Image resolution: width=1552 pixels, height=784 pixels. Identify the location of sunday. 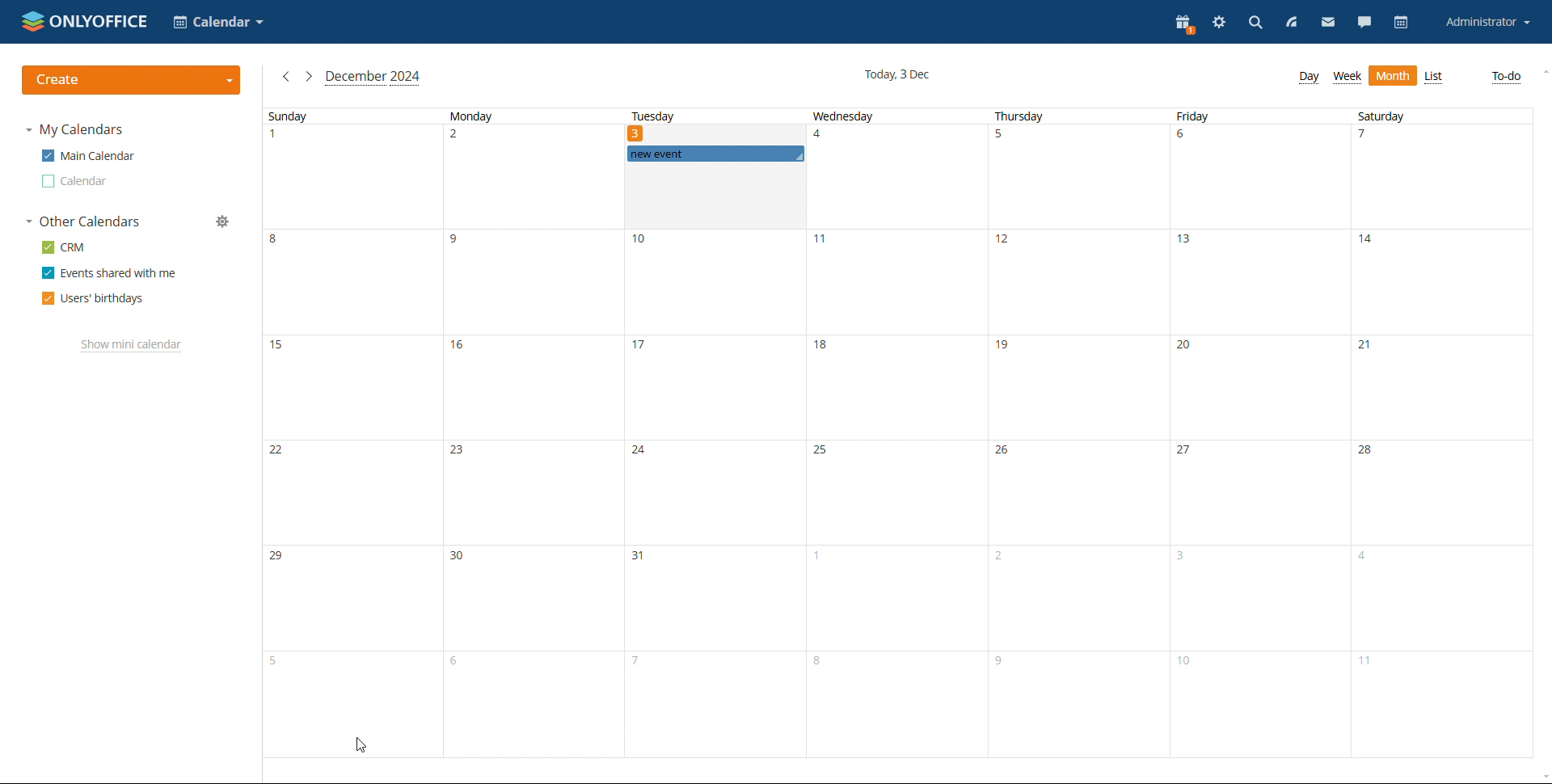
(348, 415).